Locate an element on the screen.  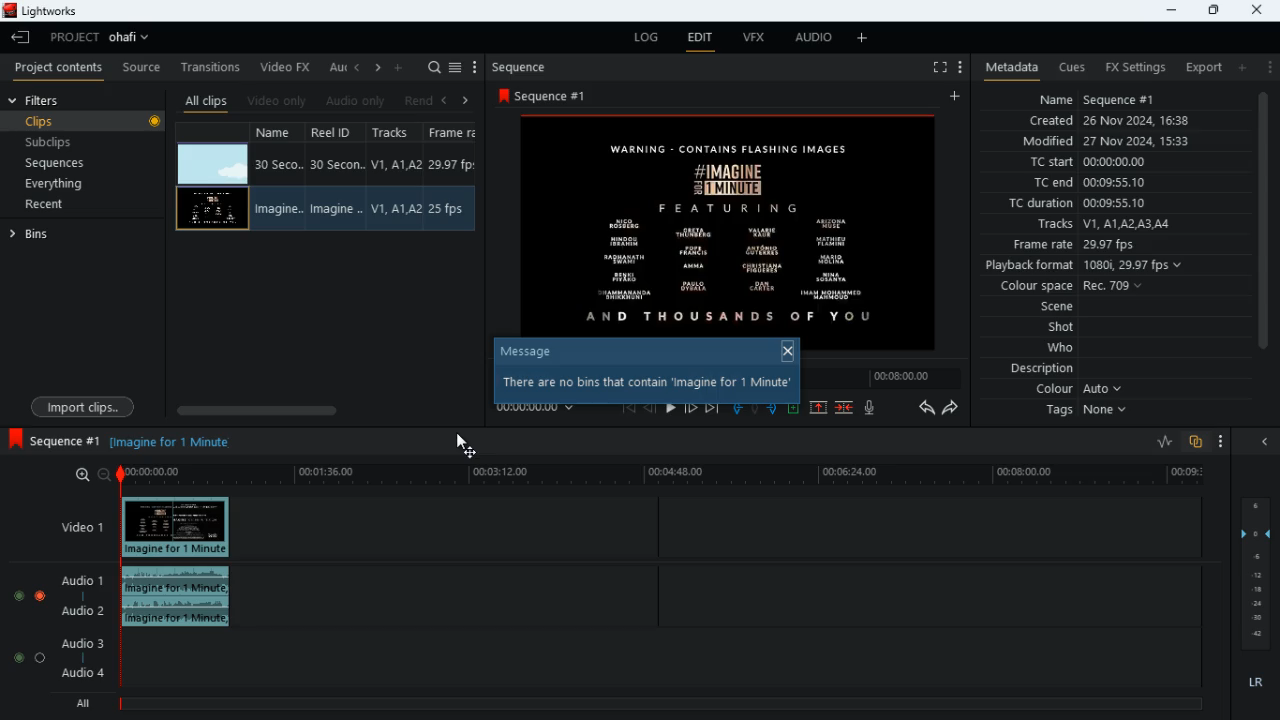
layers is located at coordinates (1260, 575).